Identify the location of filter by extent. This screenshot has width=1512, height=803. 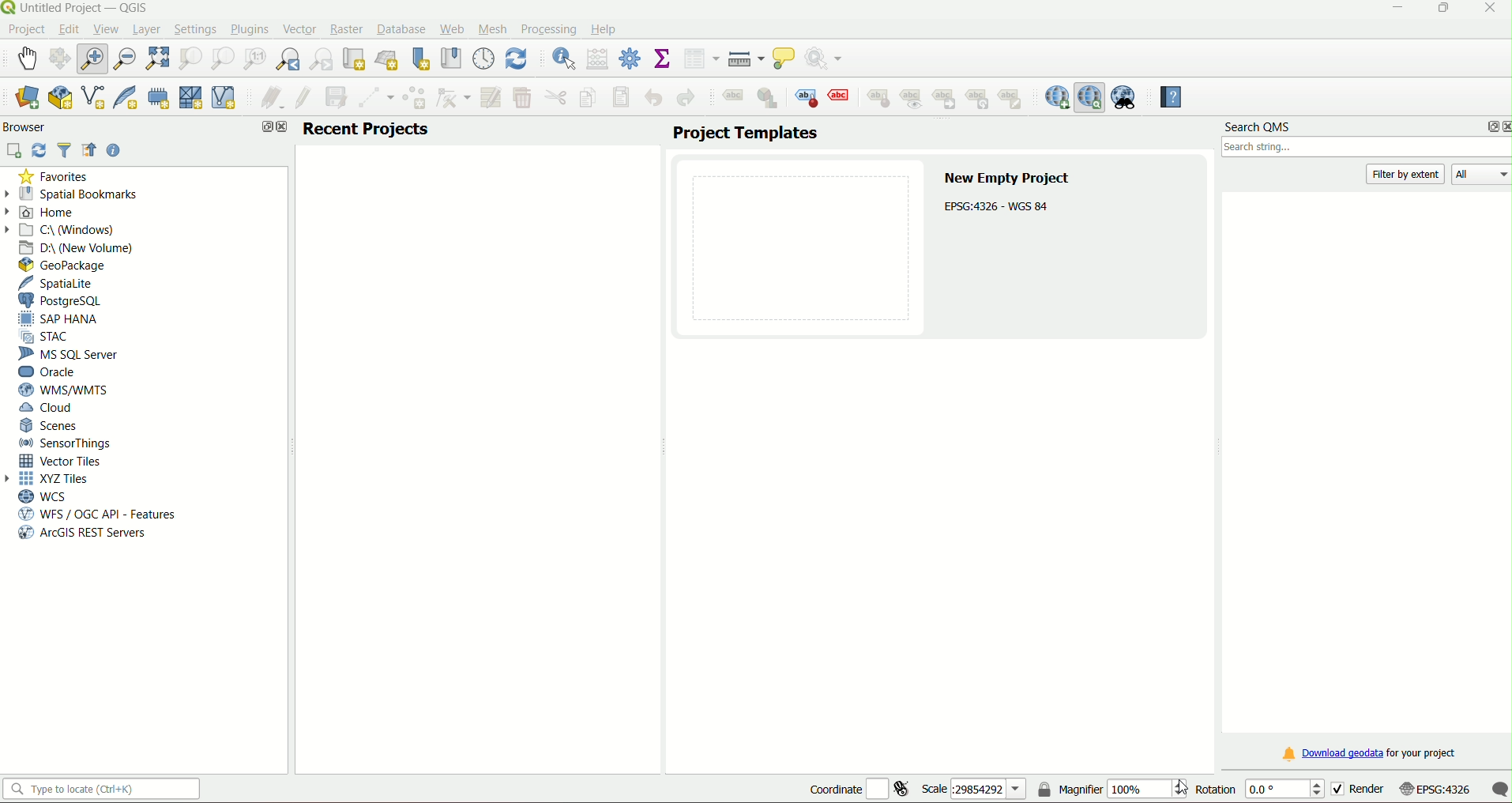
(1407, 174).